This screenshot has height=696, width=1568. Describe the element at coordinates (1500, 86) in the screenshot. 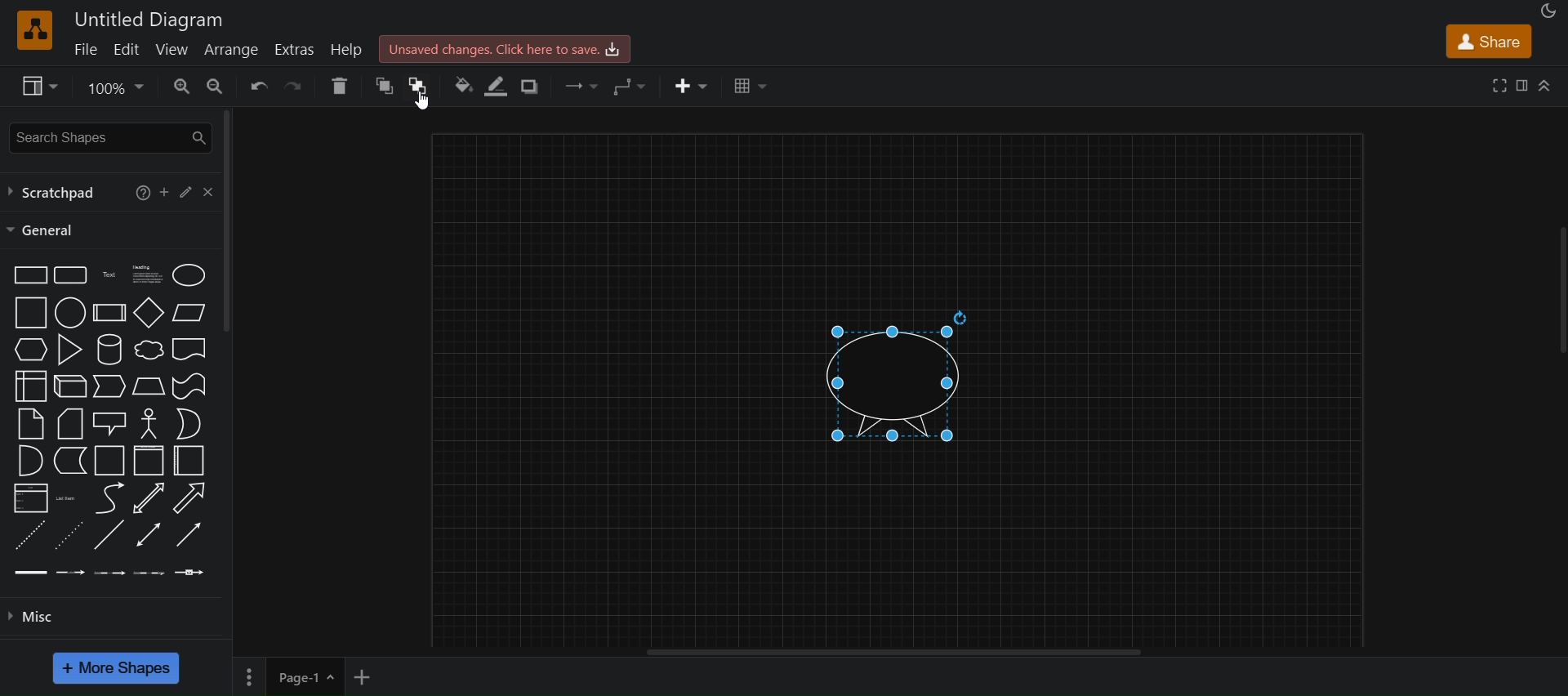

I see `fullscreen` at that location.